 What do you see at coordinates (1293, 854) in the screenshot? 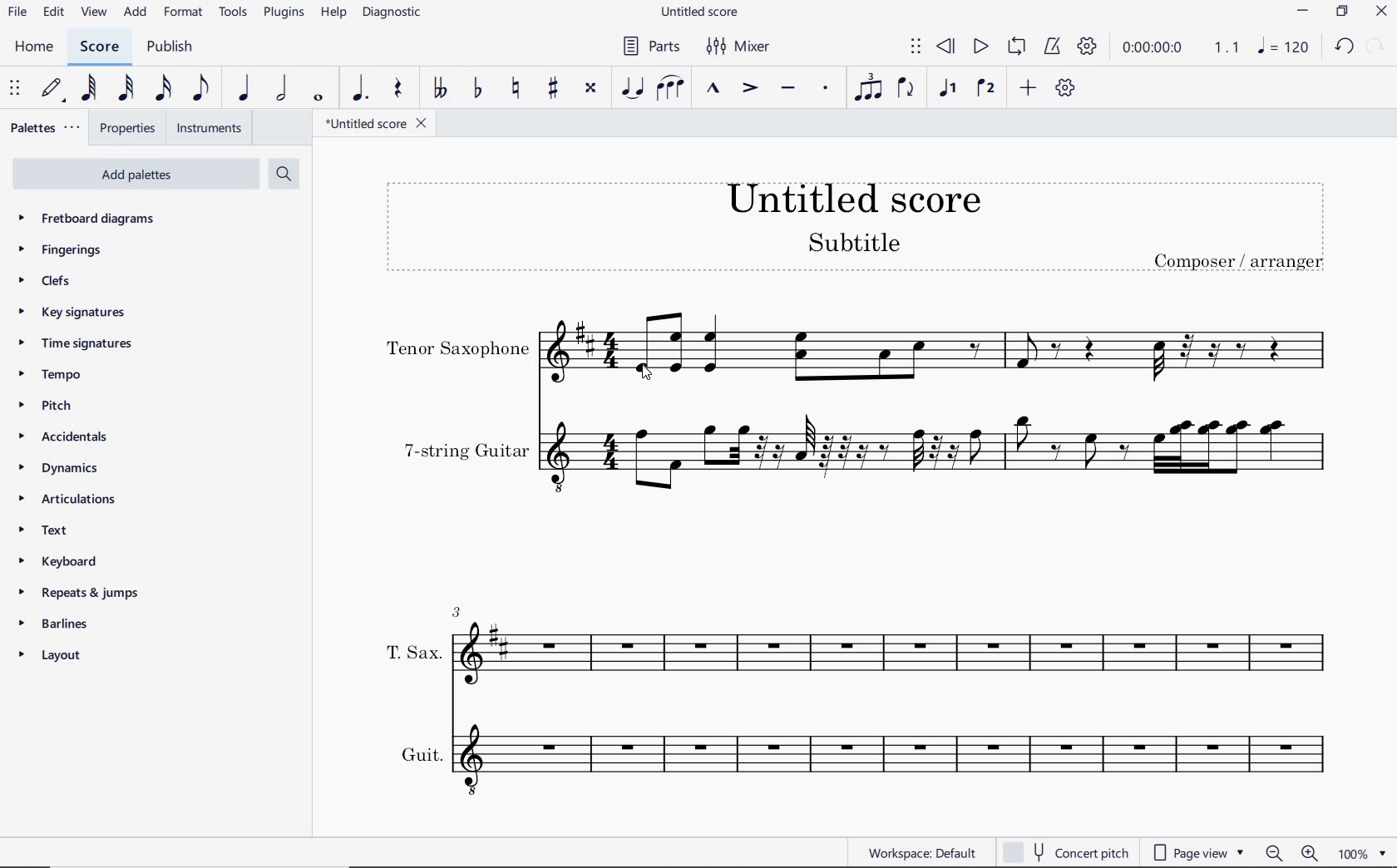
I see `ZOOM OUT OR ZOOM IN` at bounding box center [1293, 854].